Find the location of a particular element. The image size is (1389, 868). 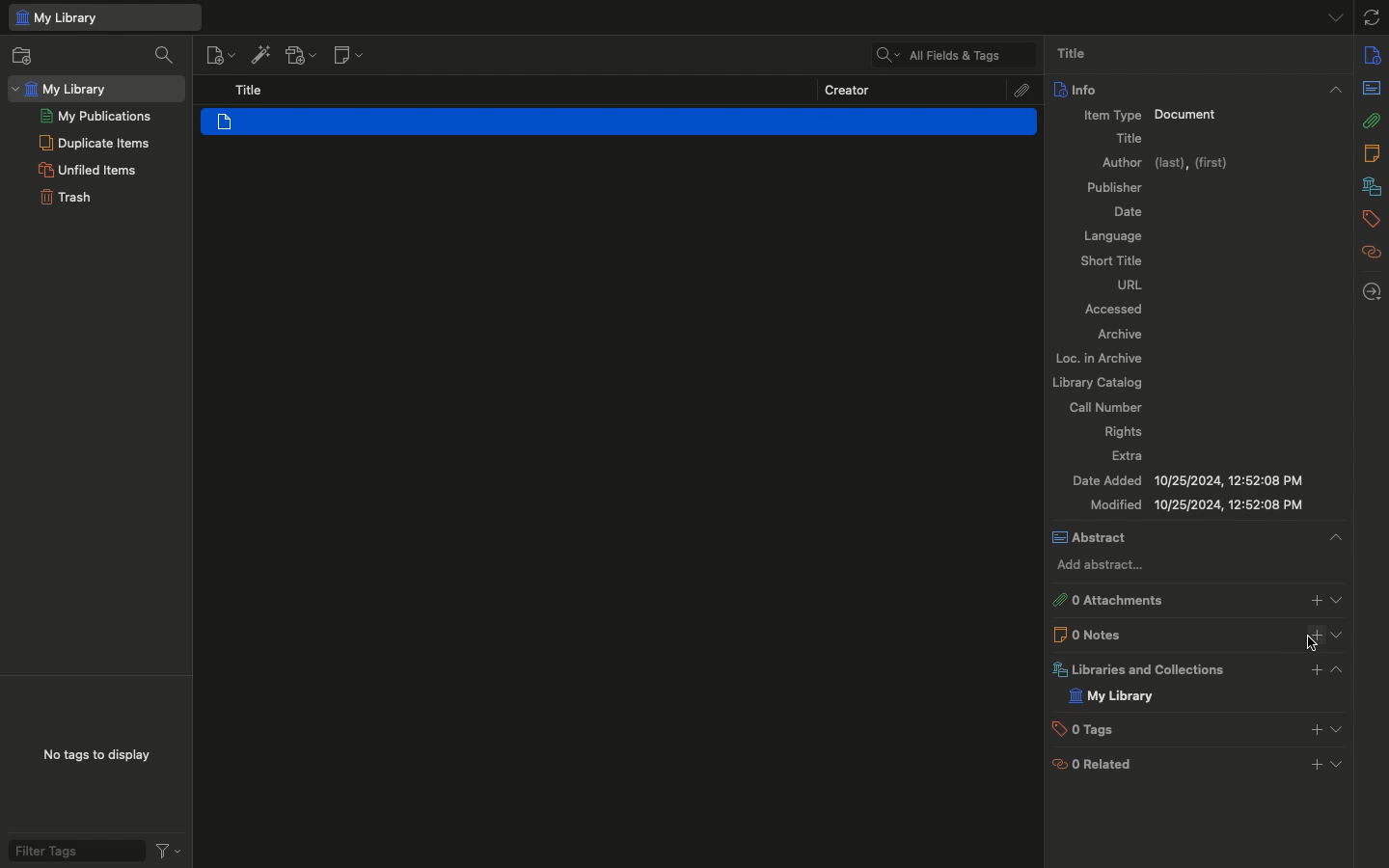

Add is located at coordinates (1314, 637).